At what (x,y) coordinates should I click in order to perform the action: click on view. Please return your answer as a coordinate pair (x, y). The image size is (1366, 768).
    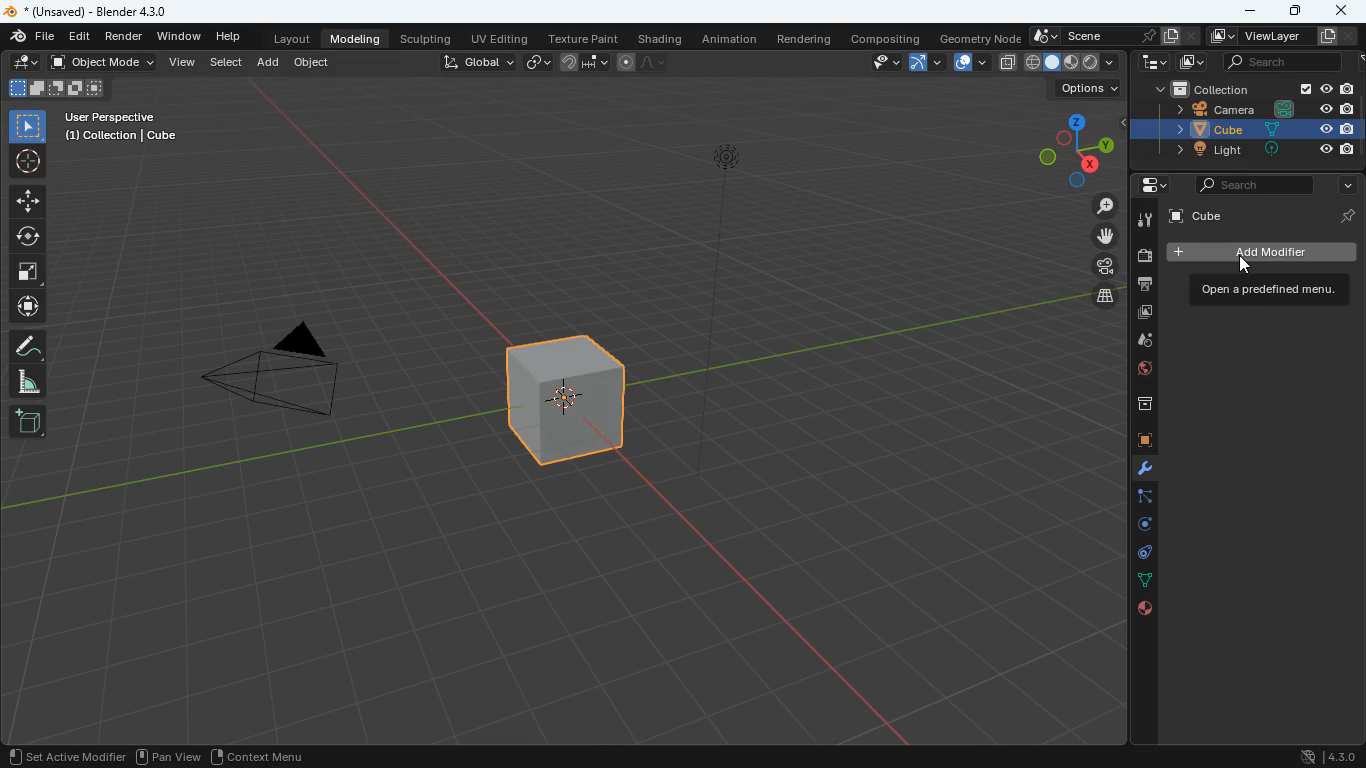
    Looking at the image, I should click on (878, 63).